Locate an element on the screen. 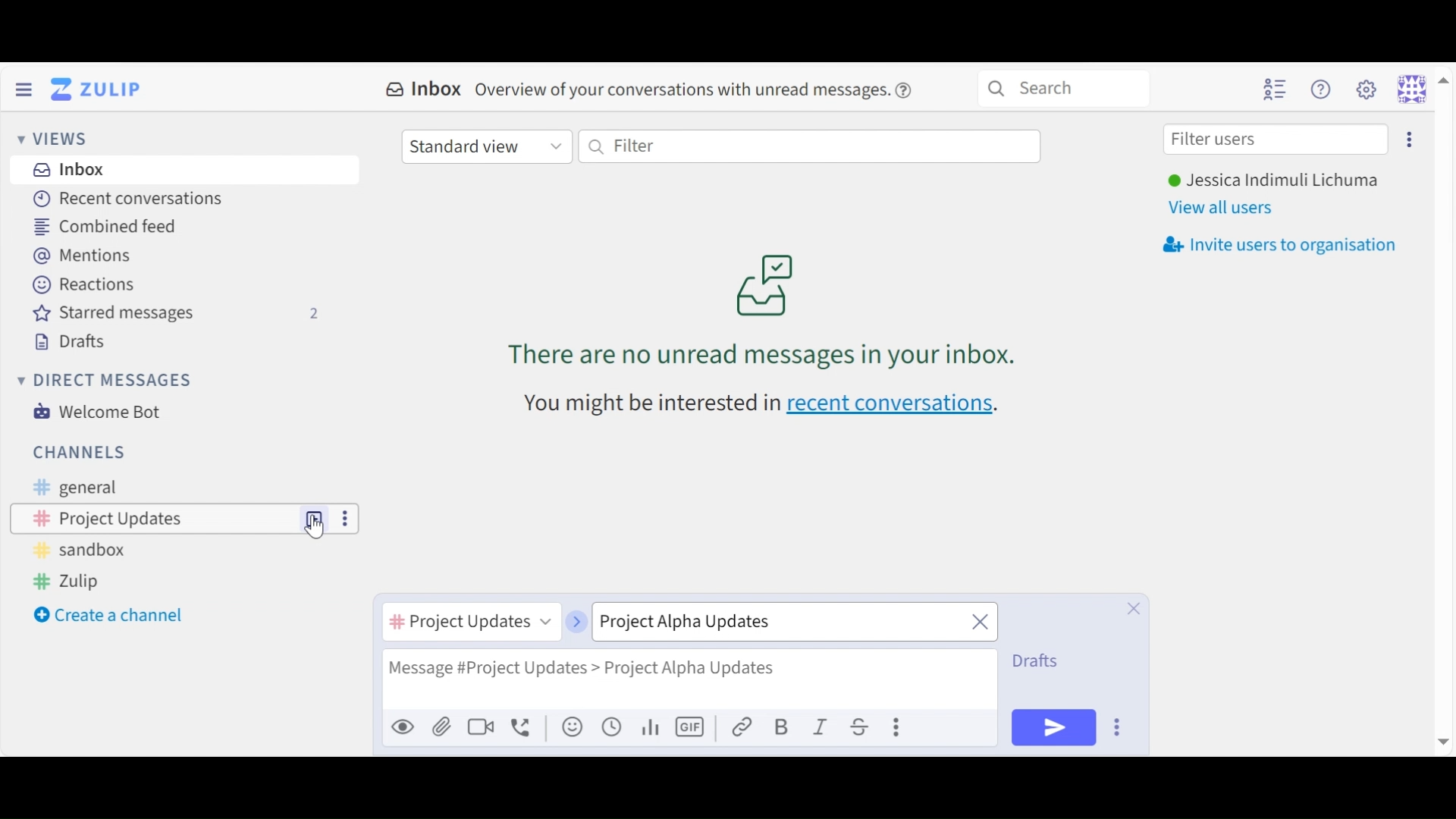 The width and height of the screenshot is (1456, 819). no unread messages is located at coordinates (766, 309).